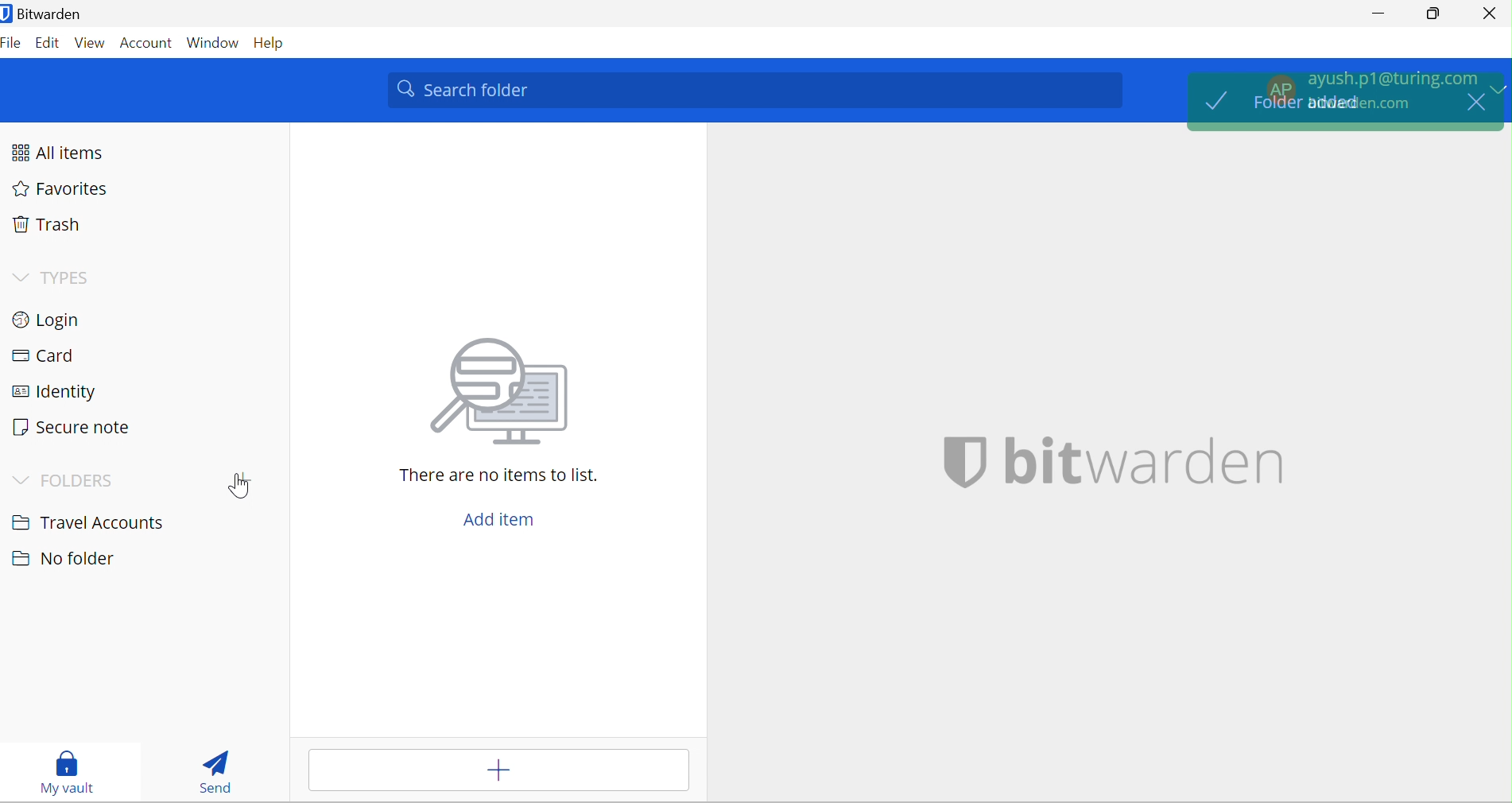 The height and width of the screenshot is (803, 1512). I want to click on Edit, so click(48, 42).